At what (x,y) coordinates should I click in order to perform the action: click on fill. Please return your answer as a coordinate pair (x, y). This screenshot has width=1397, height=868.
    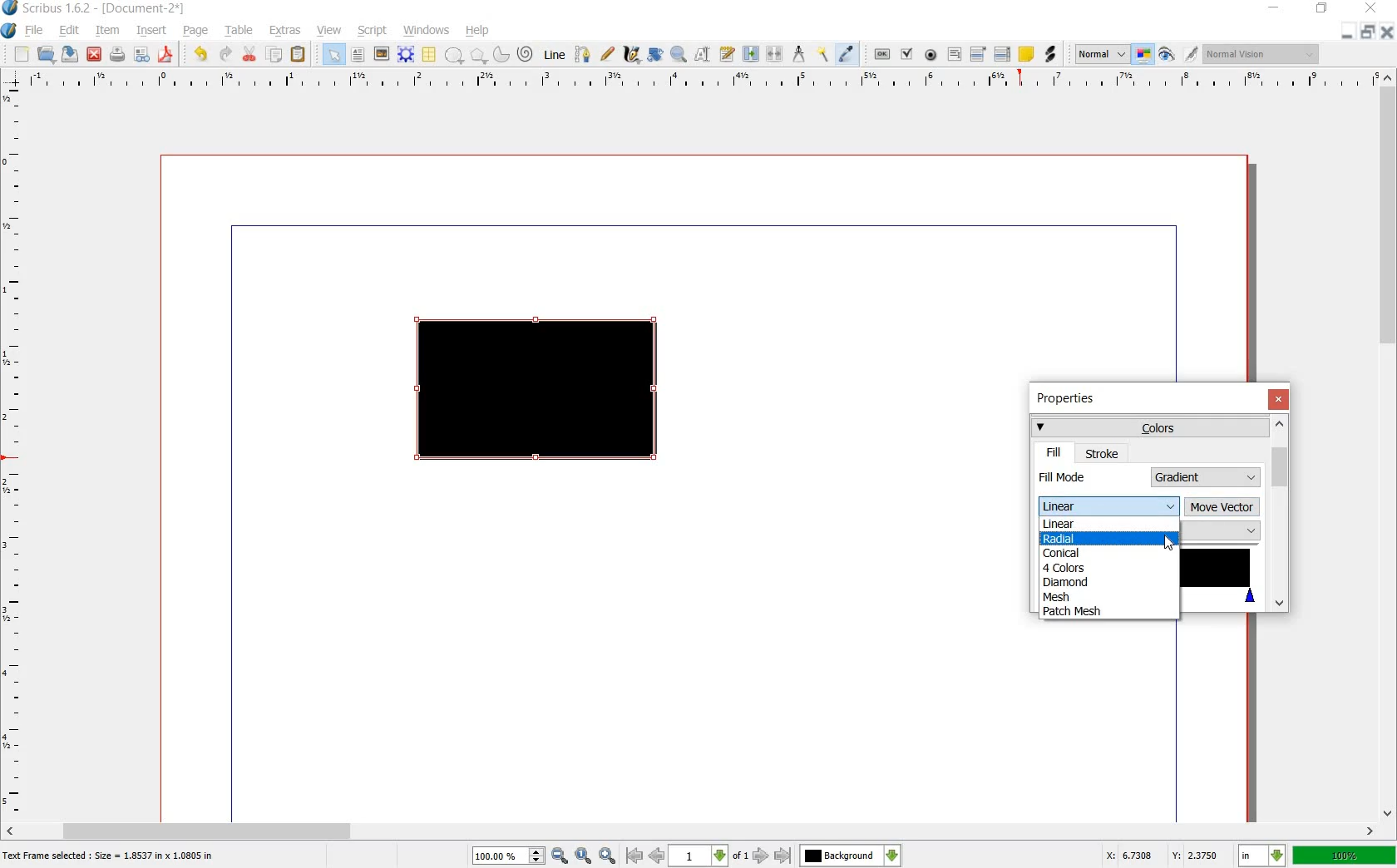
    Looking at the image, I should click on (1054, 452).